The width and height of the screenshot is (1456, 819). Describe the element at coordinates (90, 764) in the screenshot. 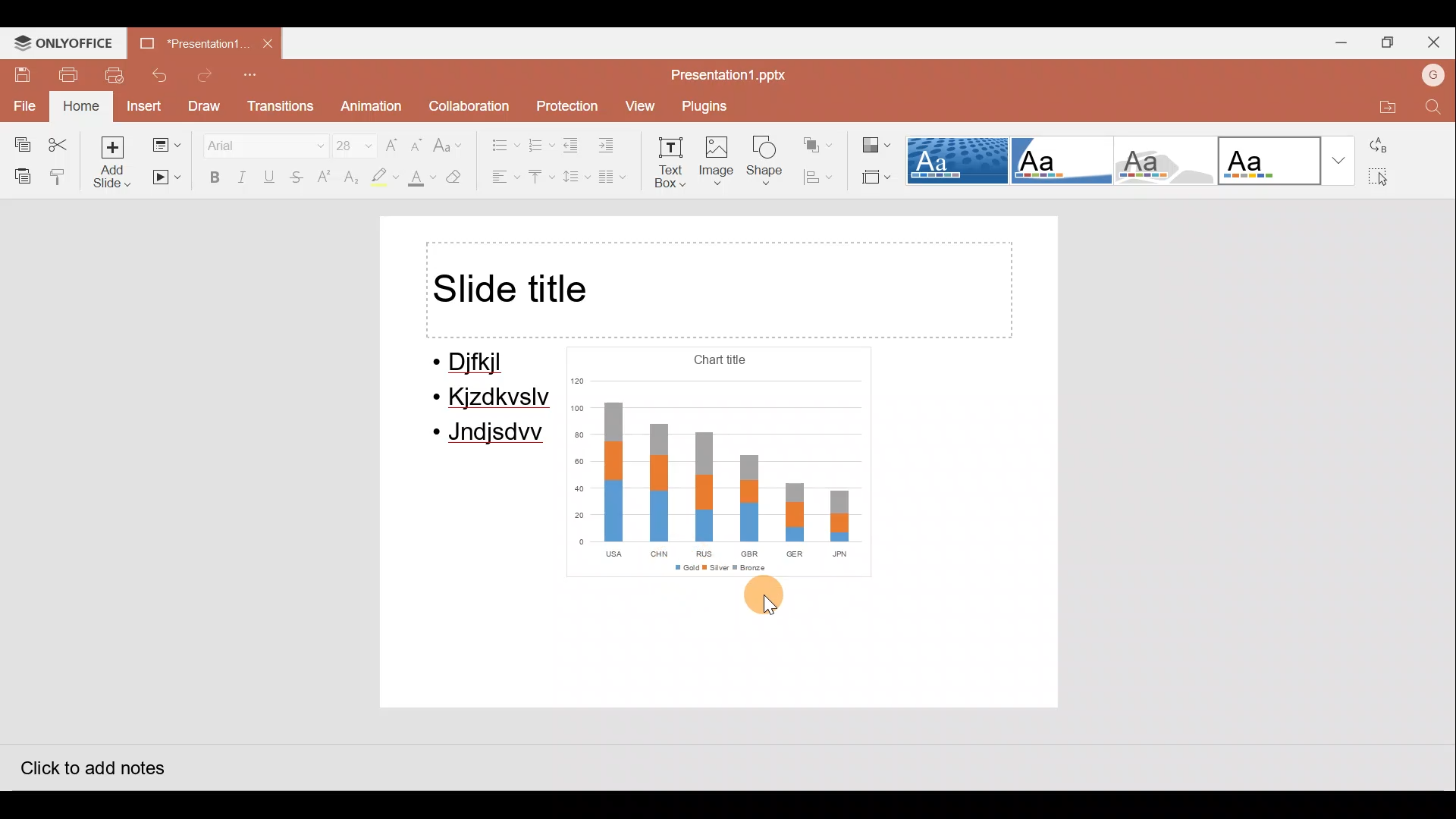

I see `Click to add notes` at that location.